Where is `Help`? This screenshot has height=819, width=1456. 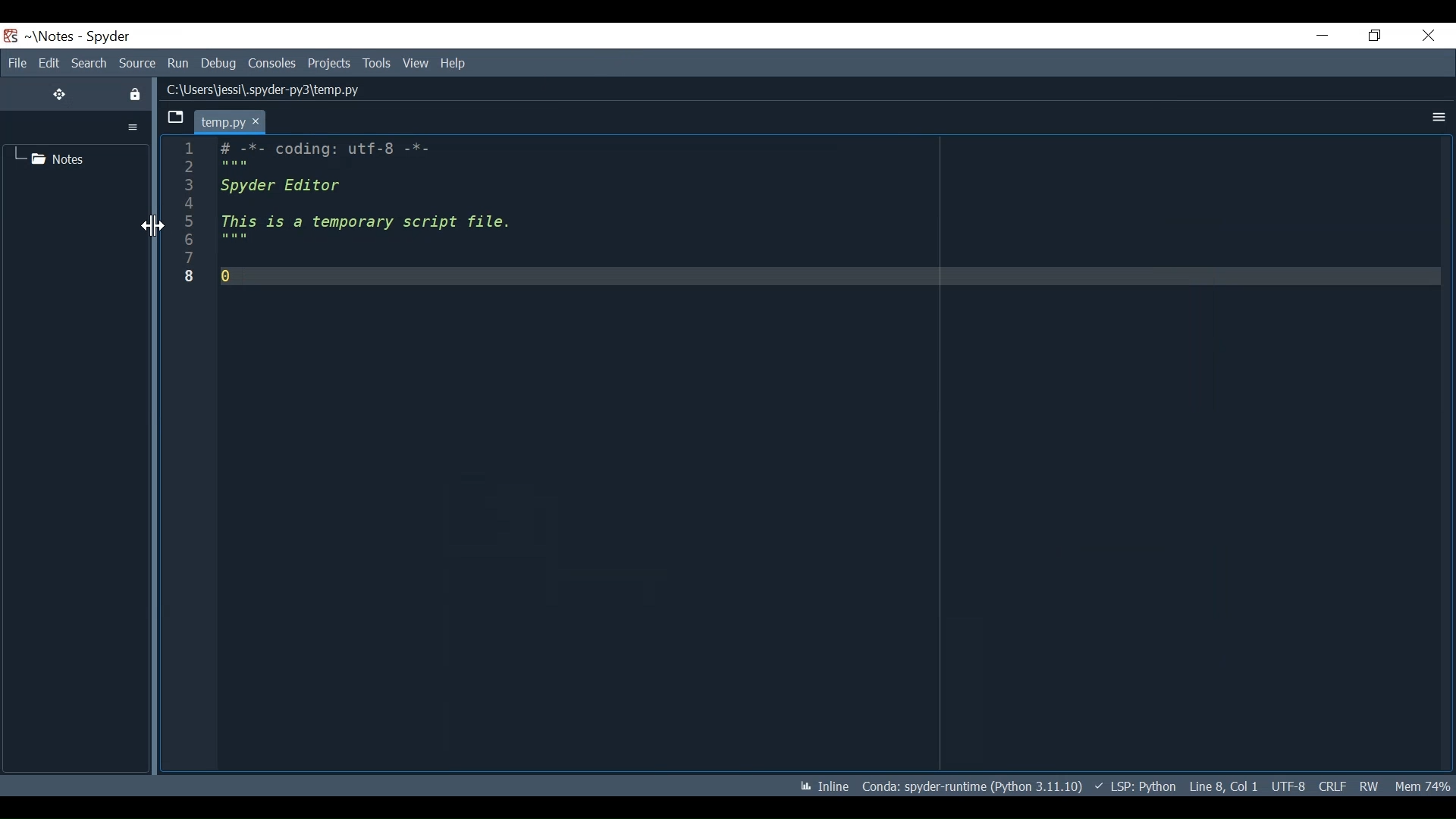
Help is located at coordinates (456, 64).